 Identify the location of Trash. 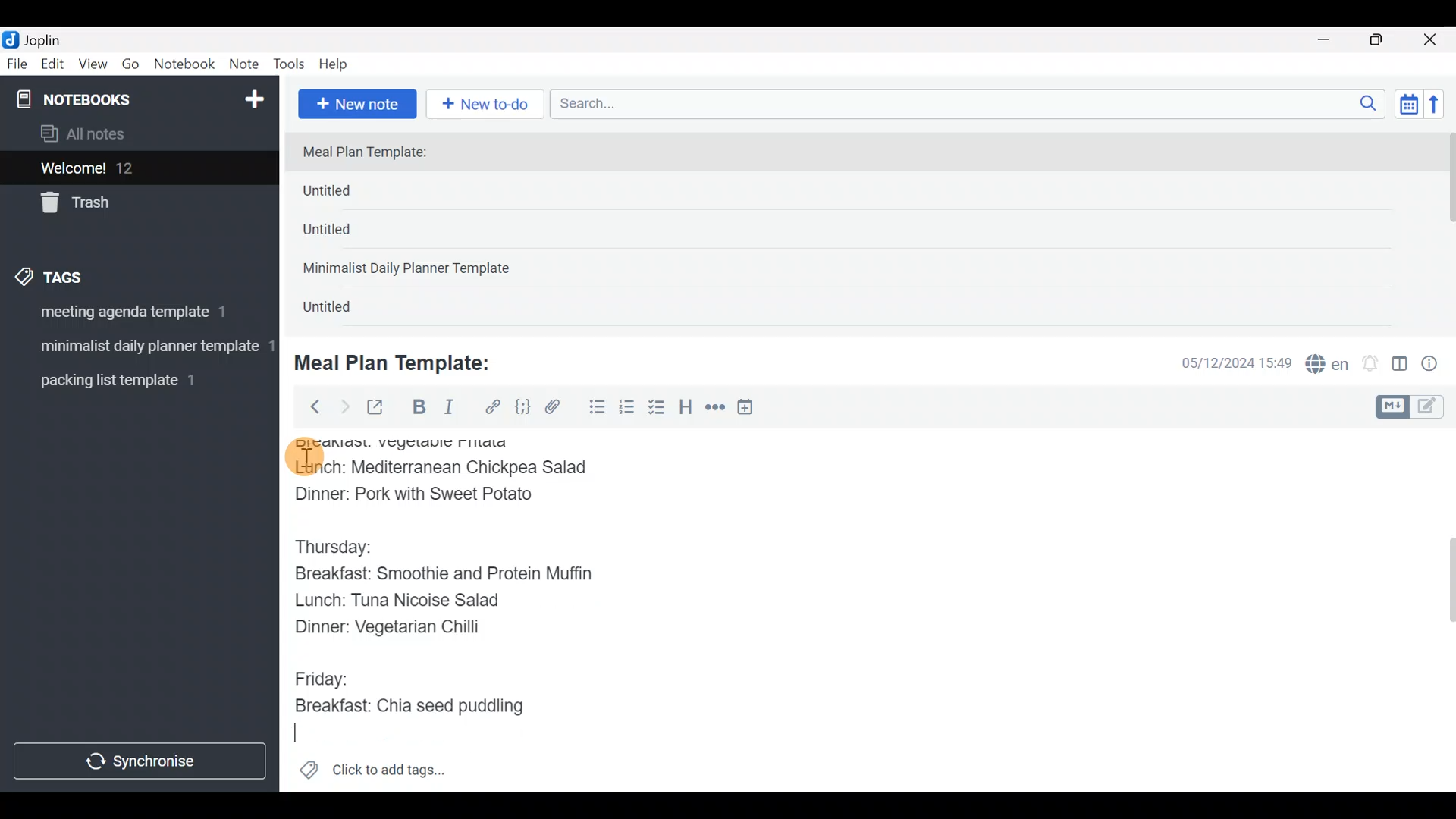
(130, 204).